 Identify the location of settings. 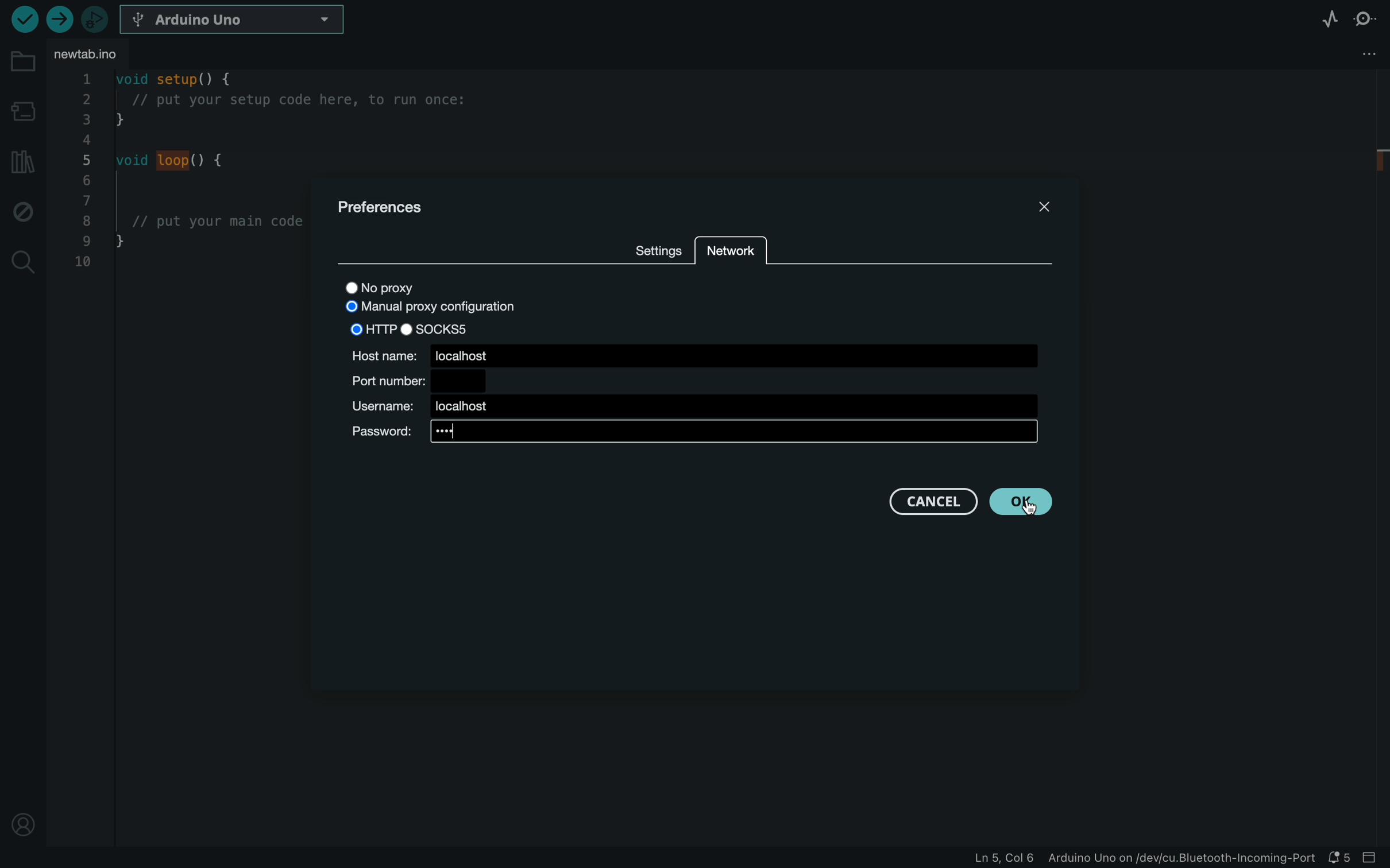
(655, 247).